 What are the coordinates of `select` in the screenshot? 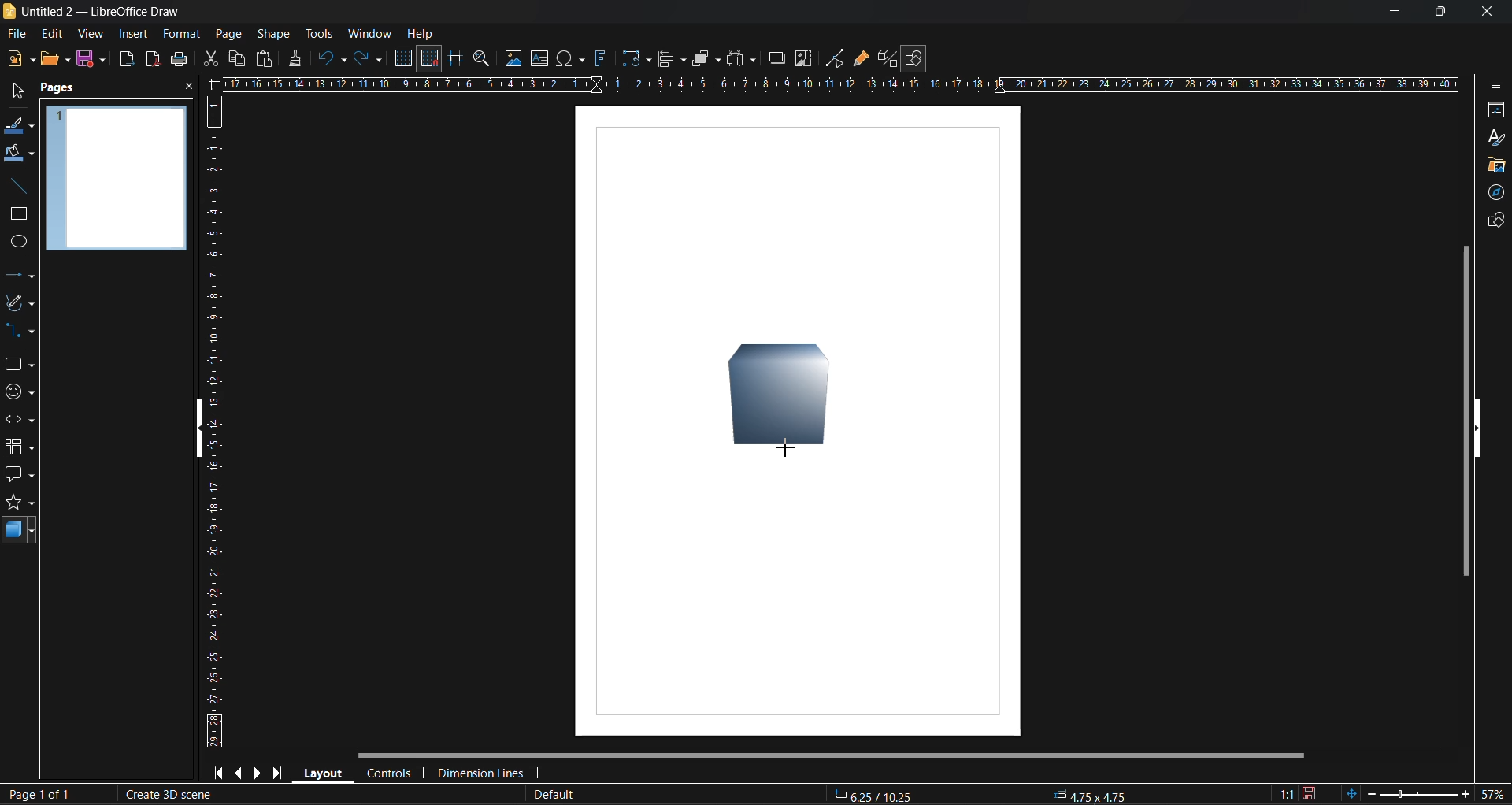 It's located at (14, 94).